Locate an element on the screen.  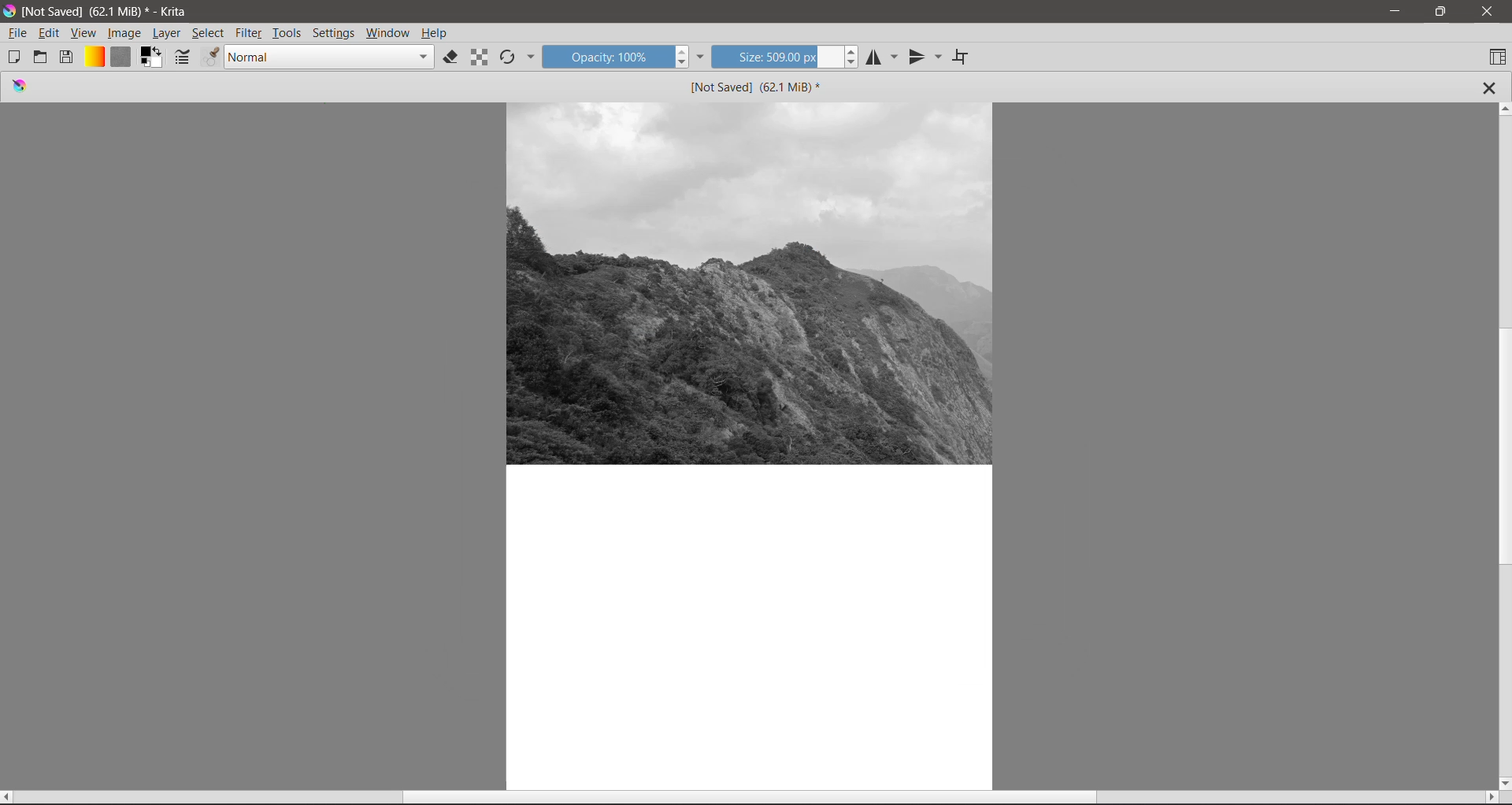
Edit brush settings is located at coordinates (183, 58).